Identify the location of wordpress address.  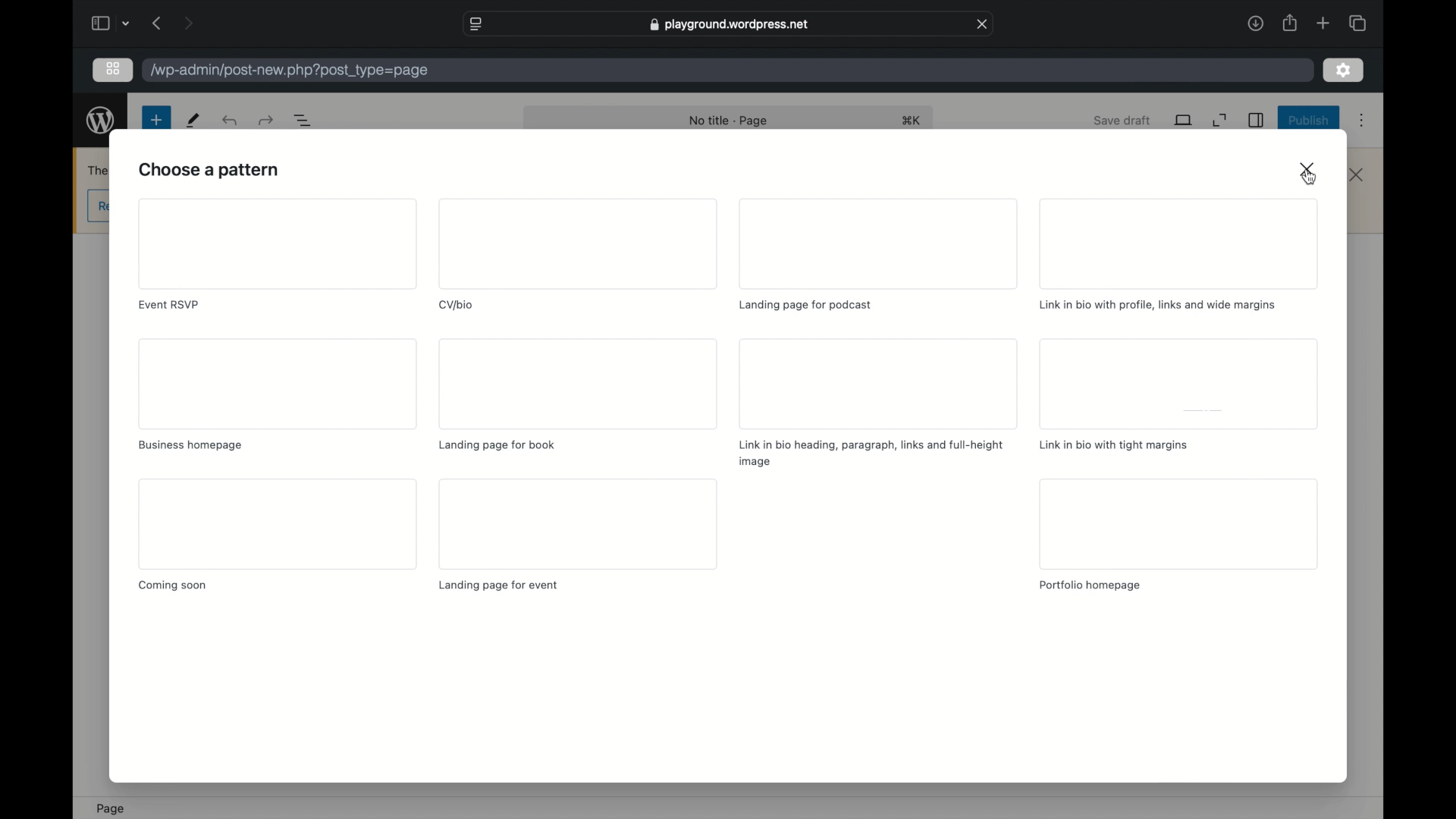
(291, 71).